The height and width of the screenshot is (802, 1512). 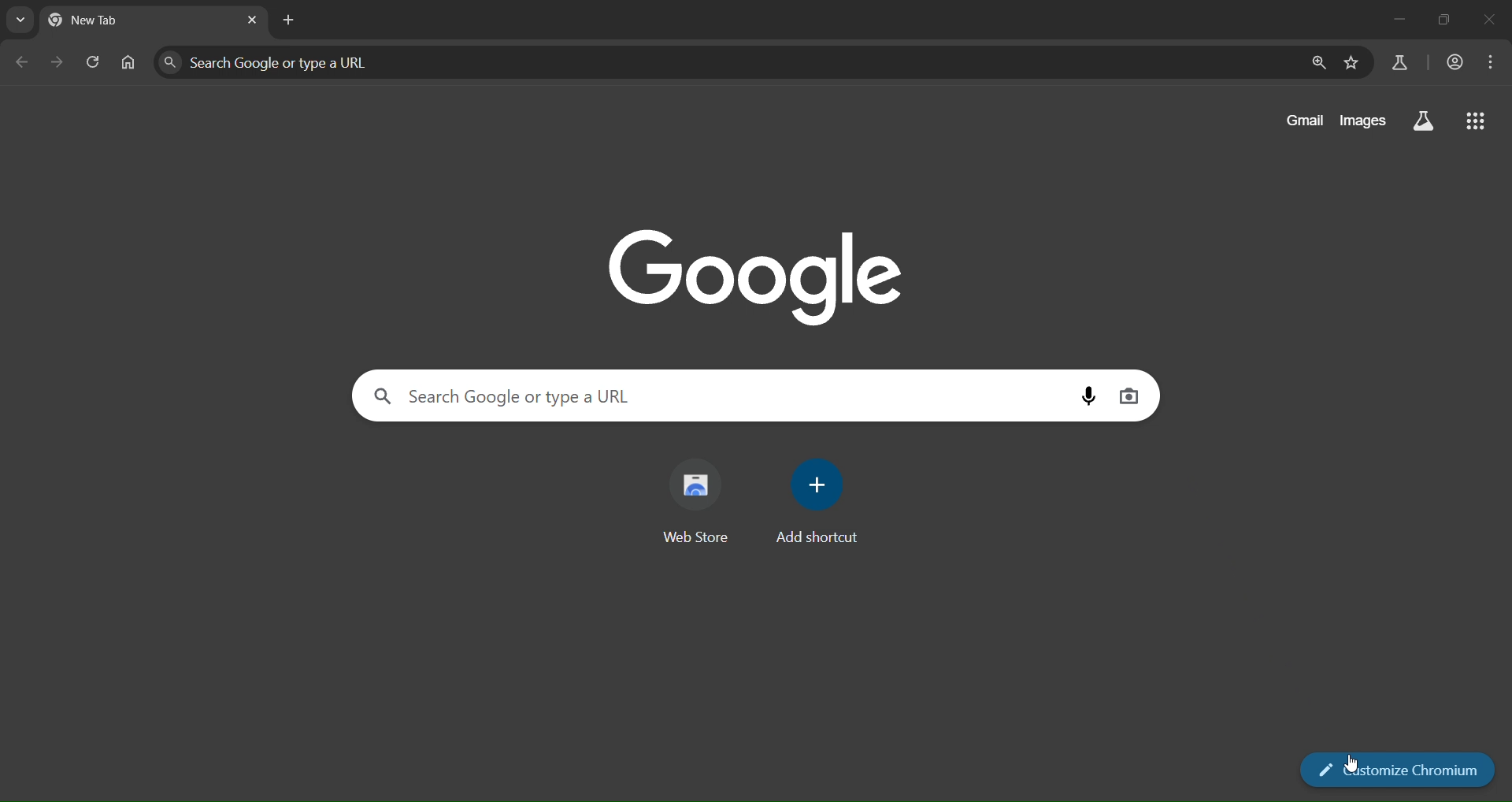 I want to click on reload, so click(x=94, y=61).